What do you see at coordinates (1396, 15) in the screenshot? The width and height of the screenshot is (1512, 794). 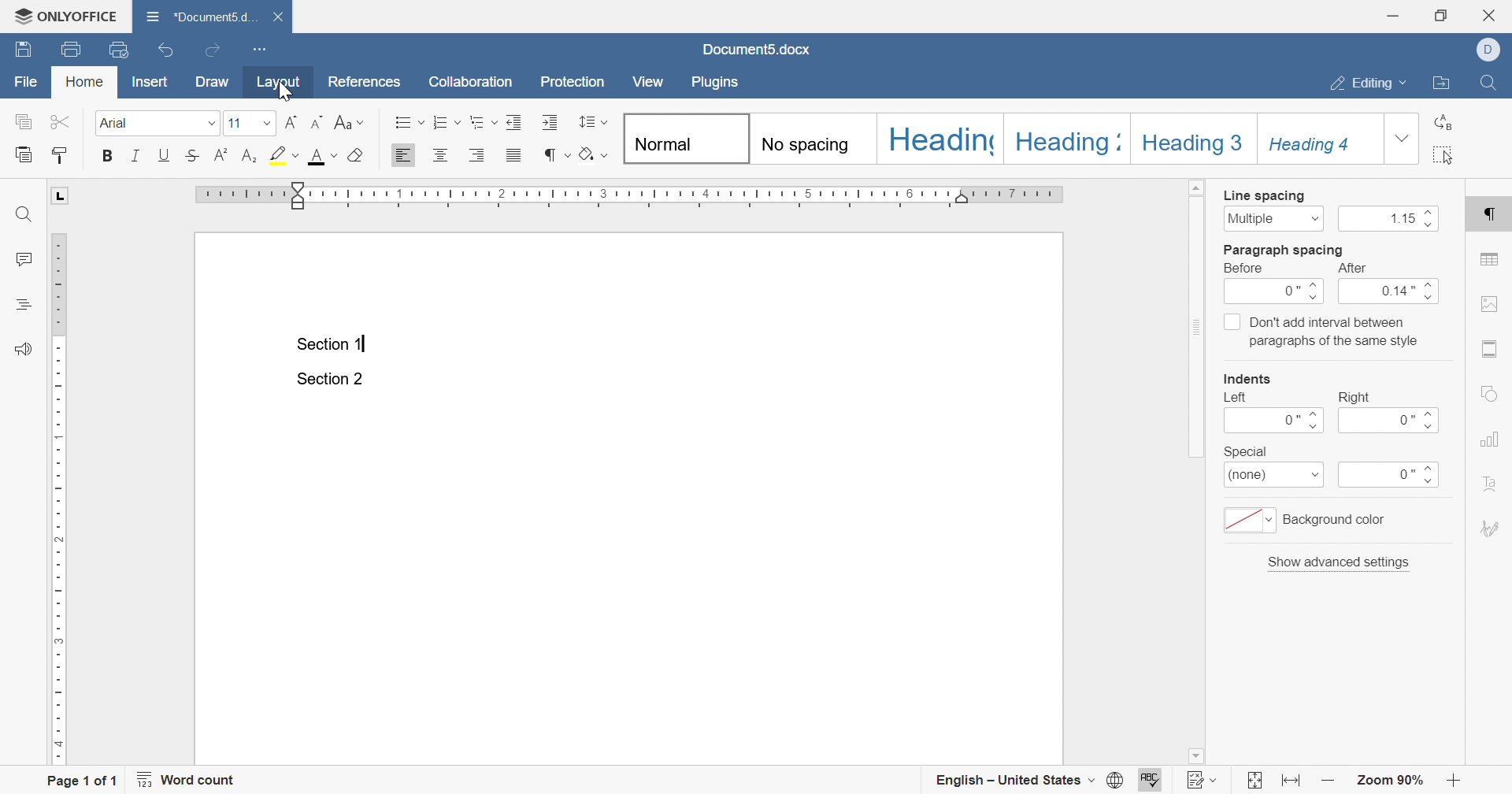 I see `minimize` at bounding box center [1396, 15].